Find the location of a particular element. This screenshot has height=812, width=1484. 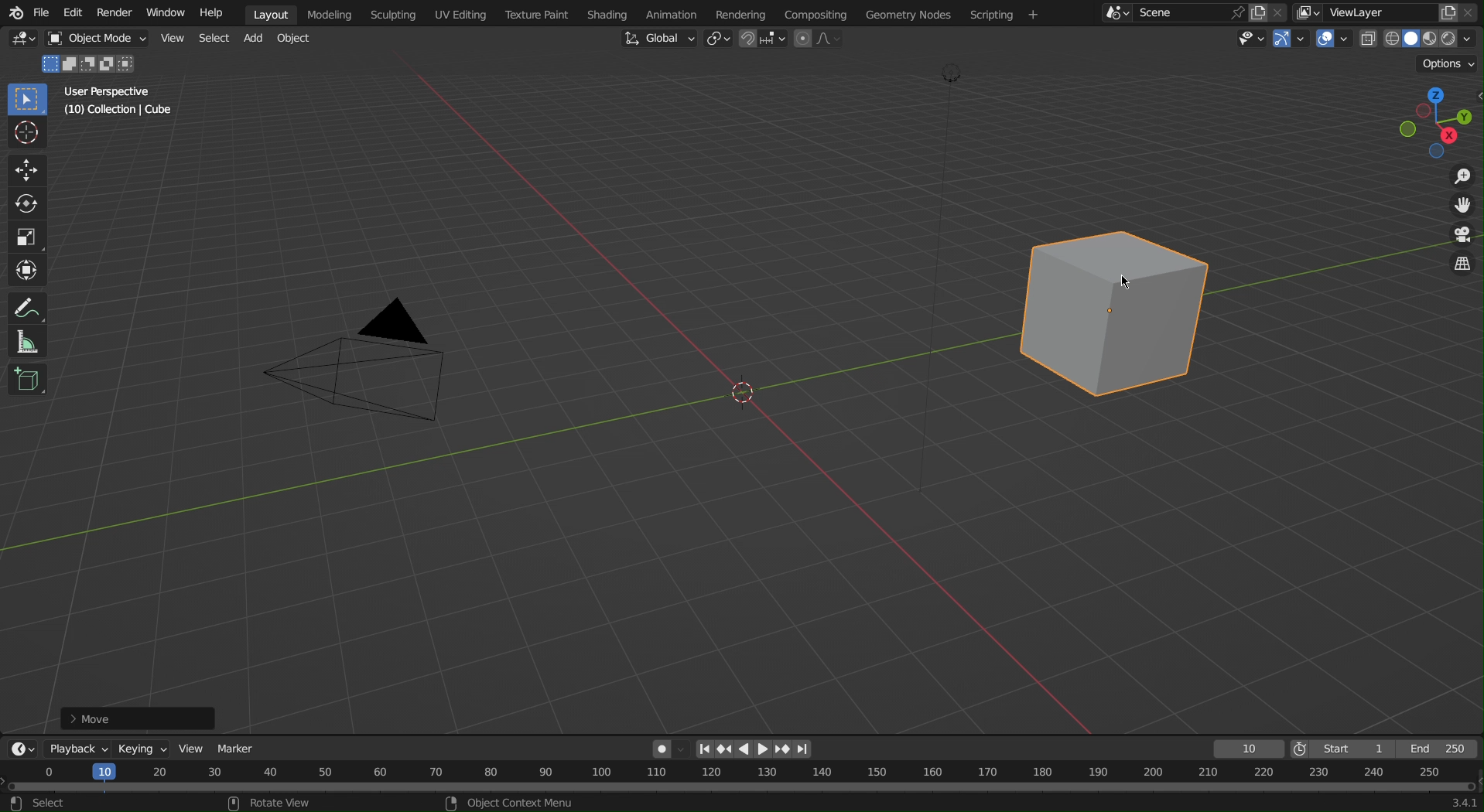

Show Overlays is located at coordinates (1334, 39).